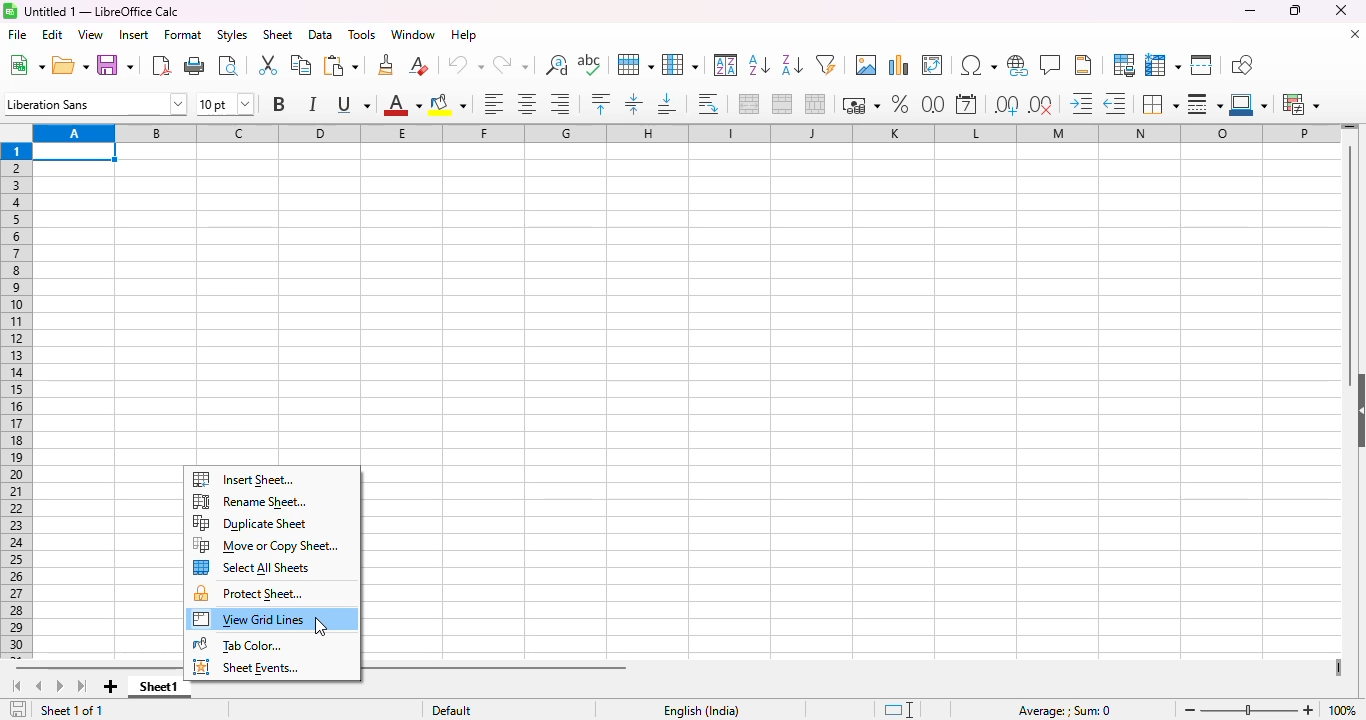 This screenshot has height=720, width=1366. Describe the element at coordinates (156, 687) in the screenshot. I see `sheet1` at that location.